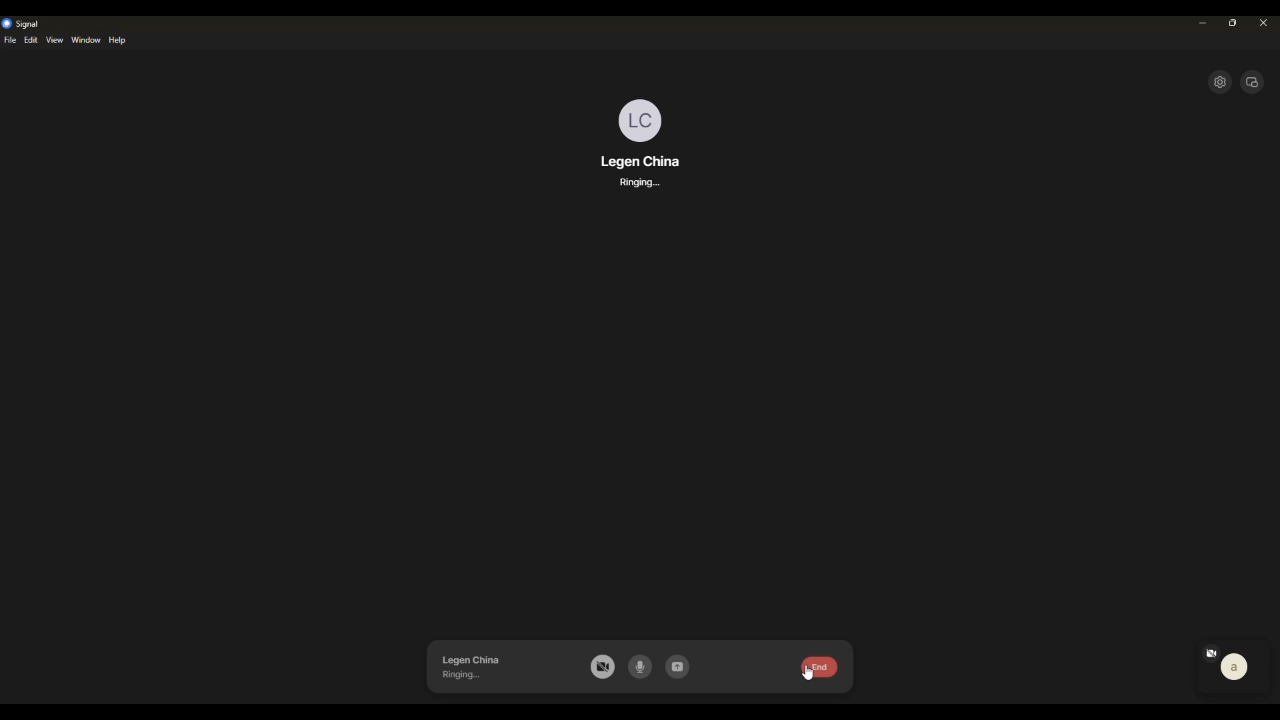  Describe the element at coordinates (1203, 23) in the screenshot. I see `minimize` at that location.